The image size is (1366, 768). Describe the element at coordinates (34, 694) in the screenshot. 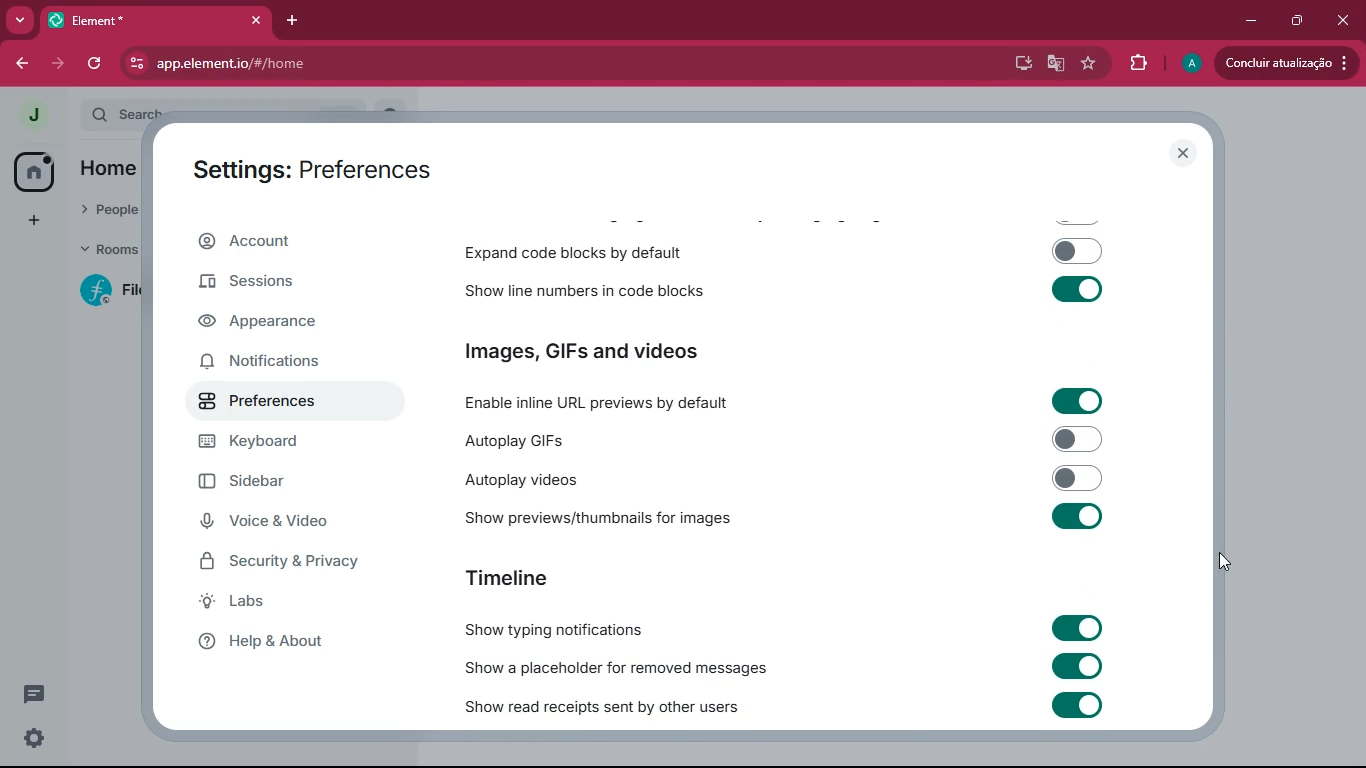

I see `threads` at that location.